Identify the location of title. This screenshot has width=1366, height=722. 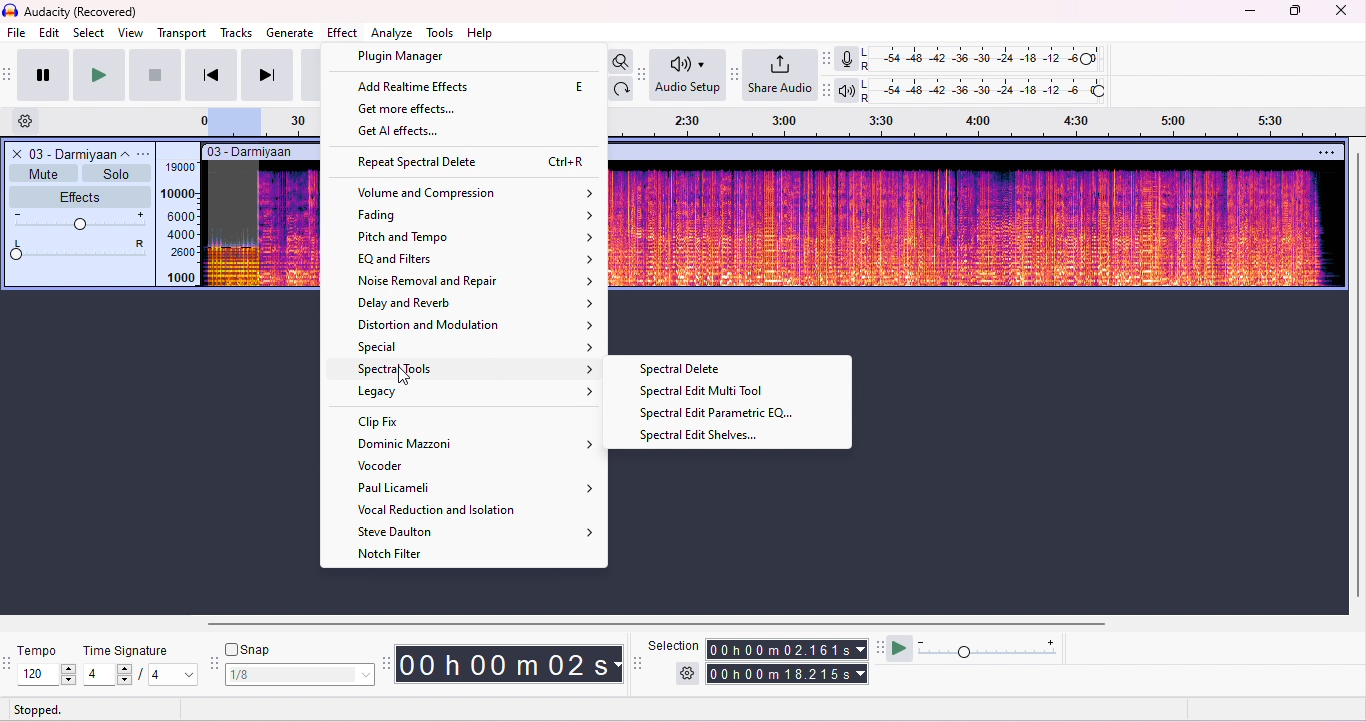
(73, 12).